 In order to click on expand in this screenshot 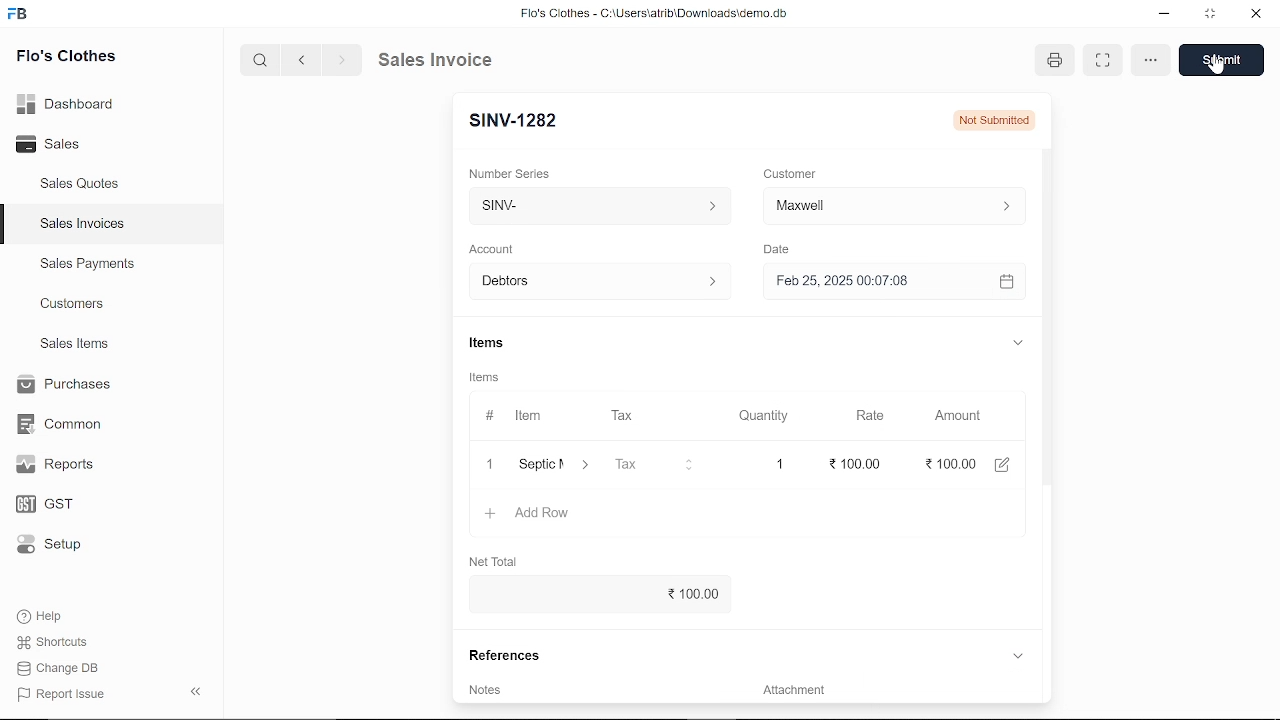, I will do `click(1104, 61)`.